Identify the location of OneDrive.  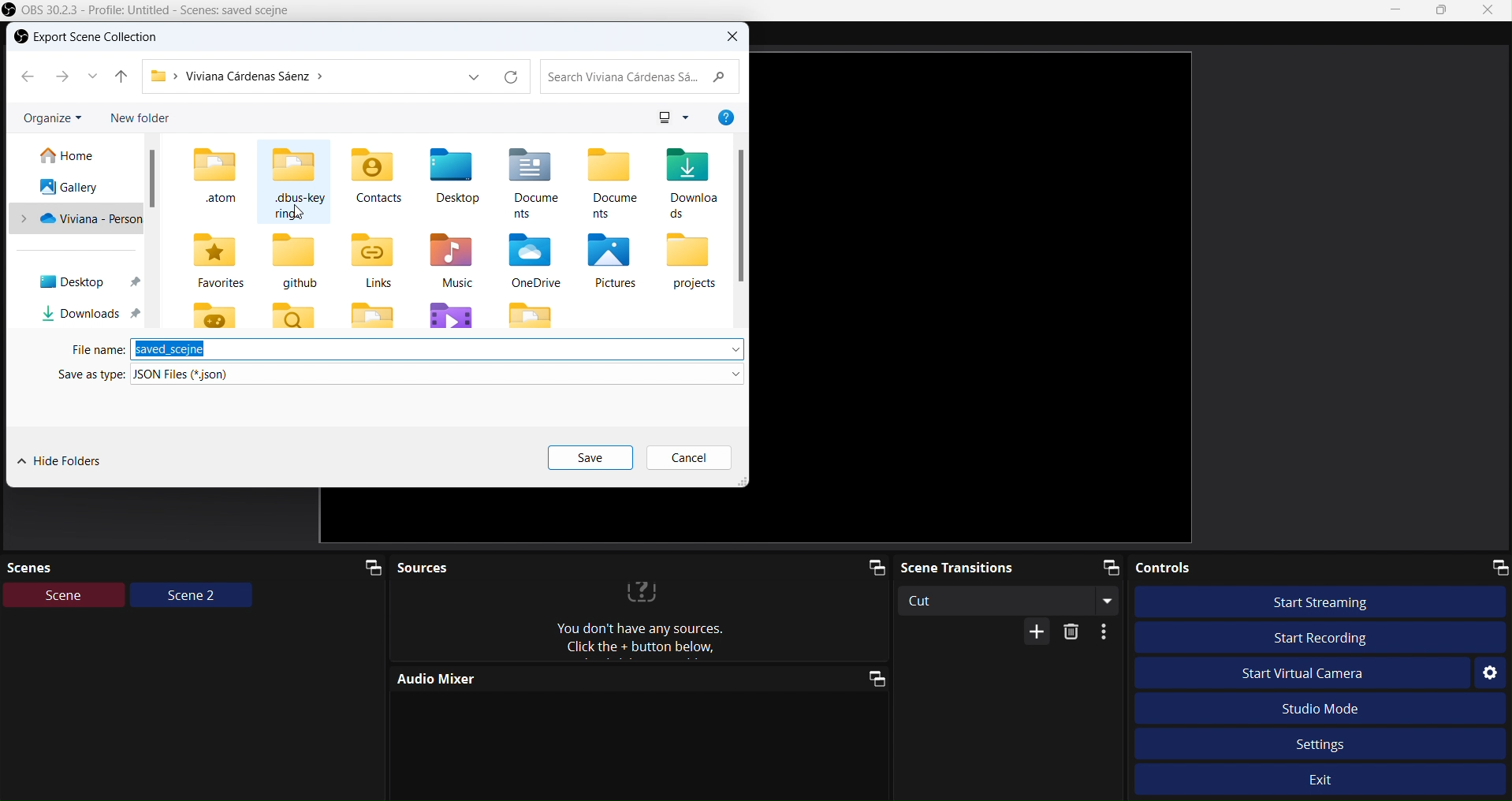
(537, 260).